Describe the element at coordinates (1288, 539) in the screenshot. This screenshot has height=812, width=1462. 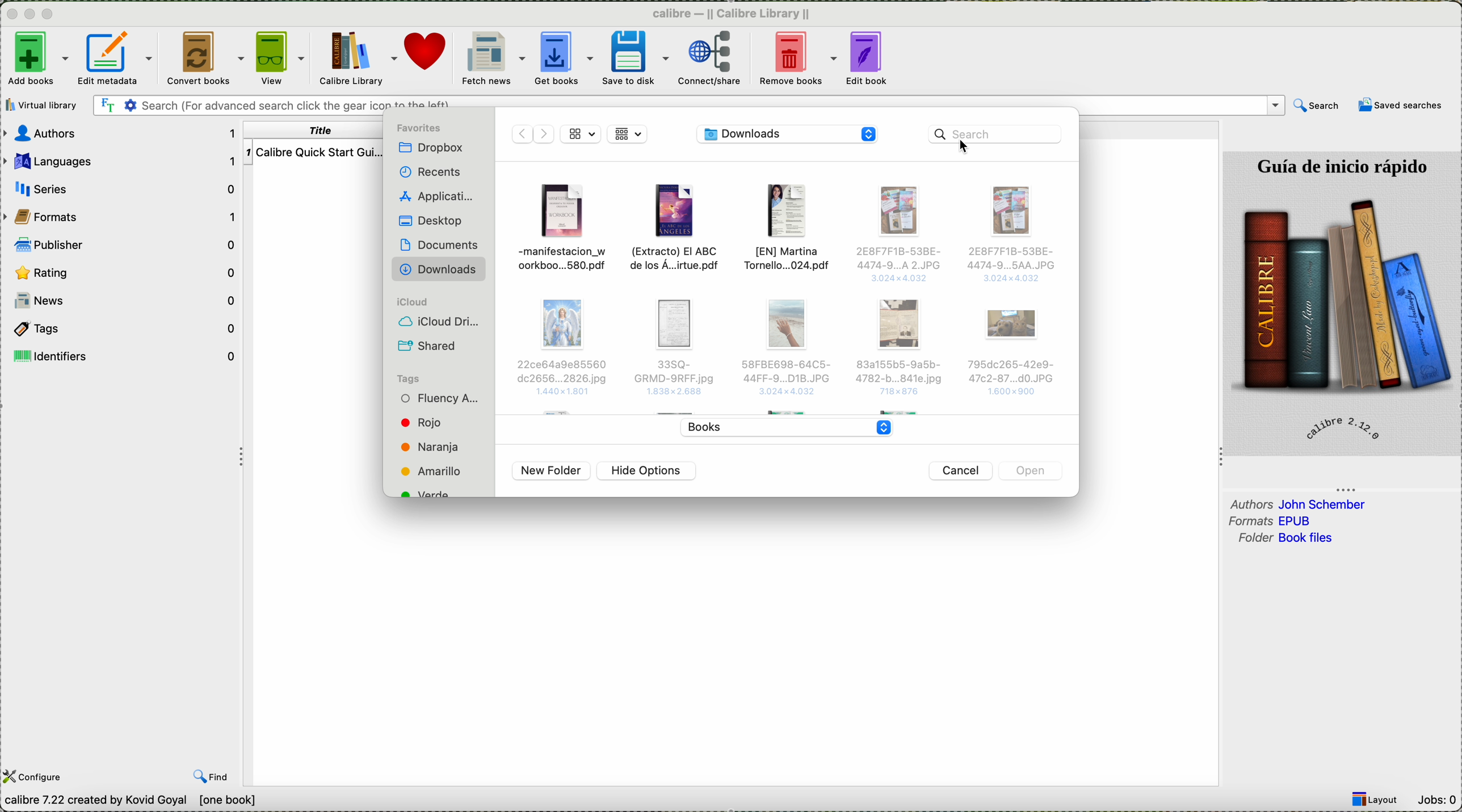
I see `folder` at that location.